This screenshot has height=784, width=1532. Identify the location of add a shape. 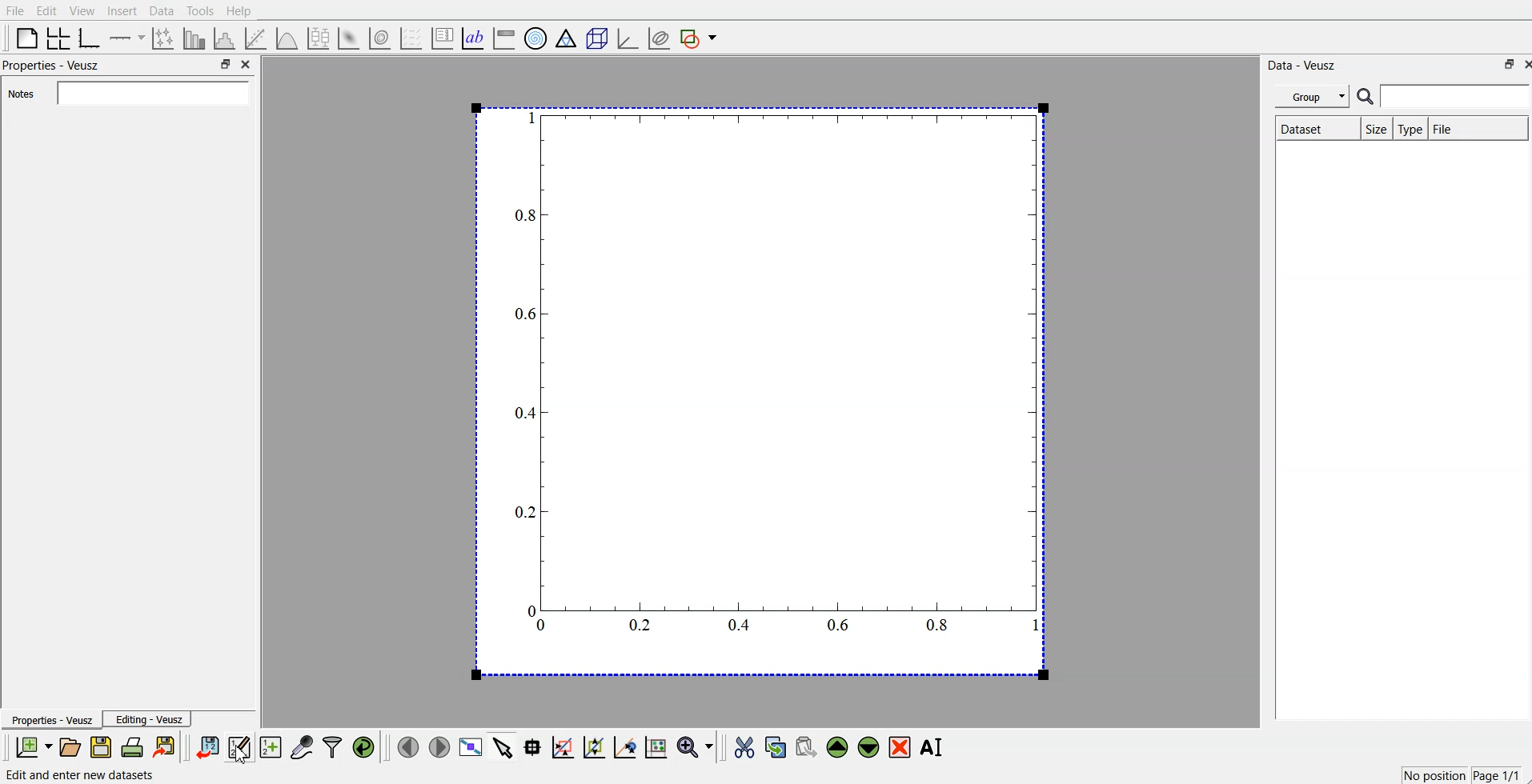
(700, 38).